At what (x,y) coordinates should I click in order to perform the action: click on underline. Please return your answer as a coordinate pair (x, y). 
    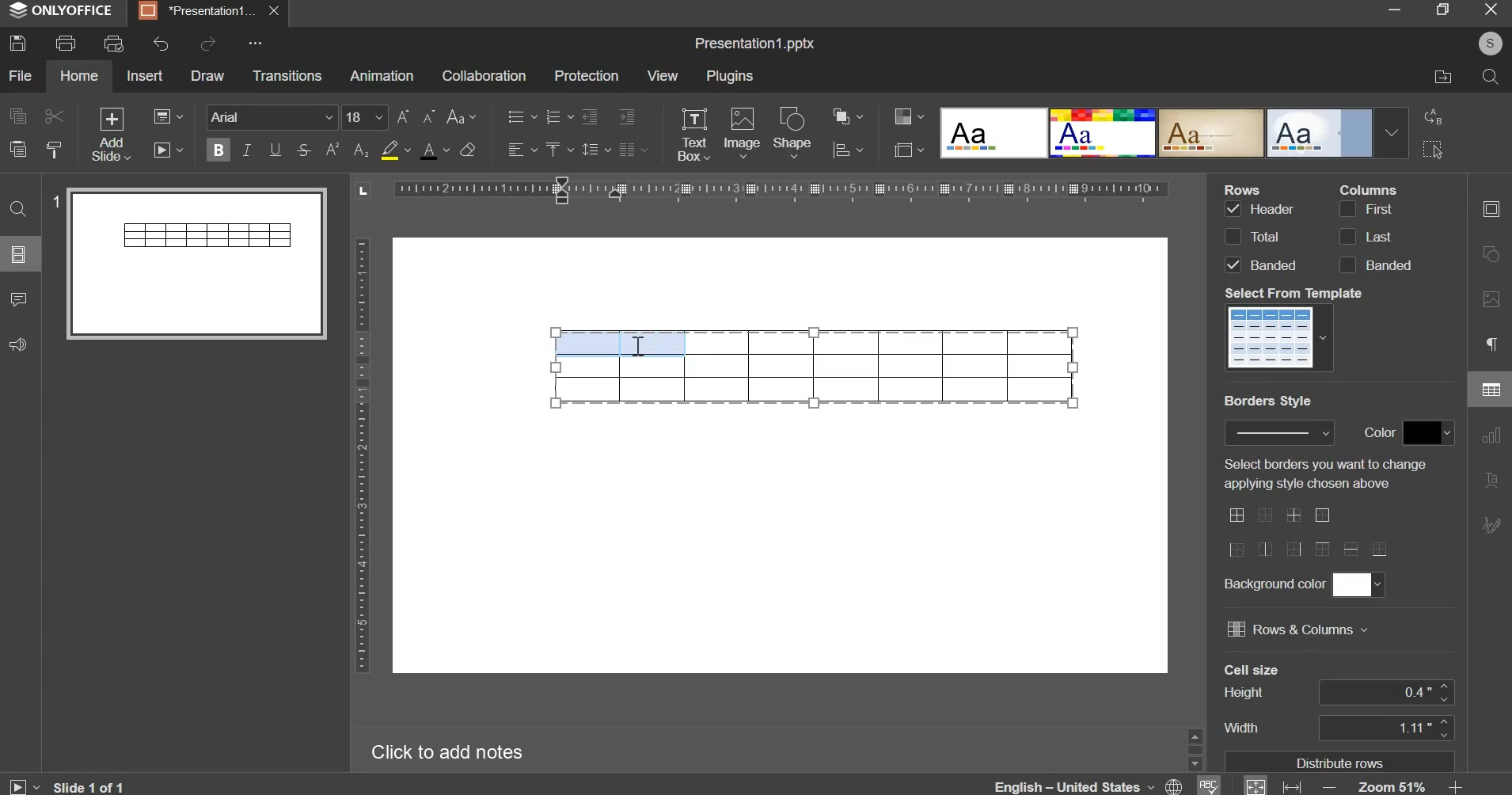
    Looking at the image, I should click on (274, 149).